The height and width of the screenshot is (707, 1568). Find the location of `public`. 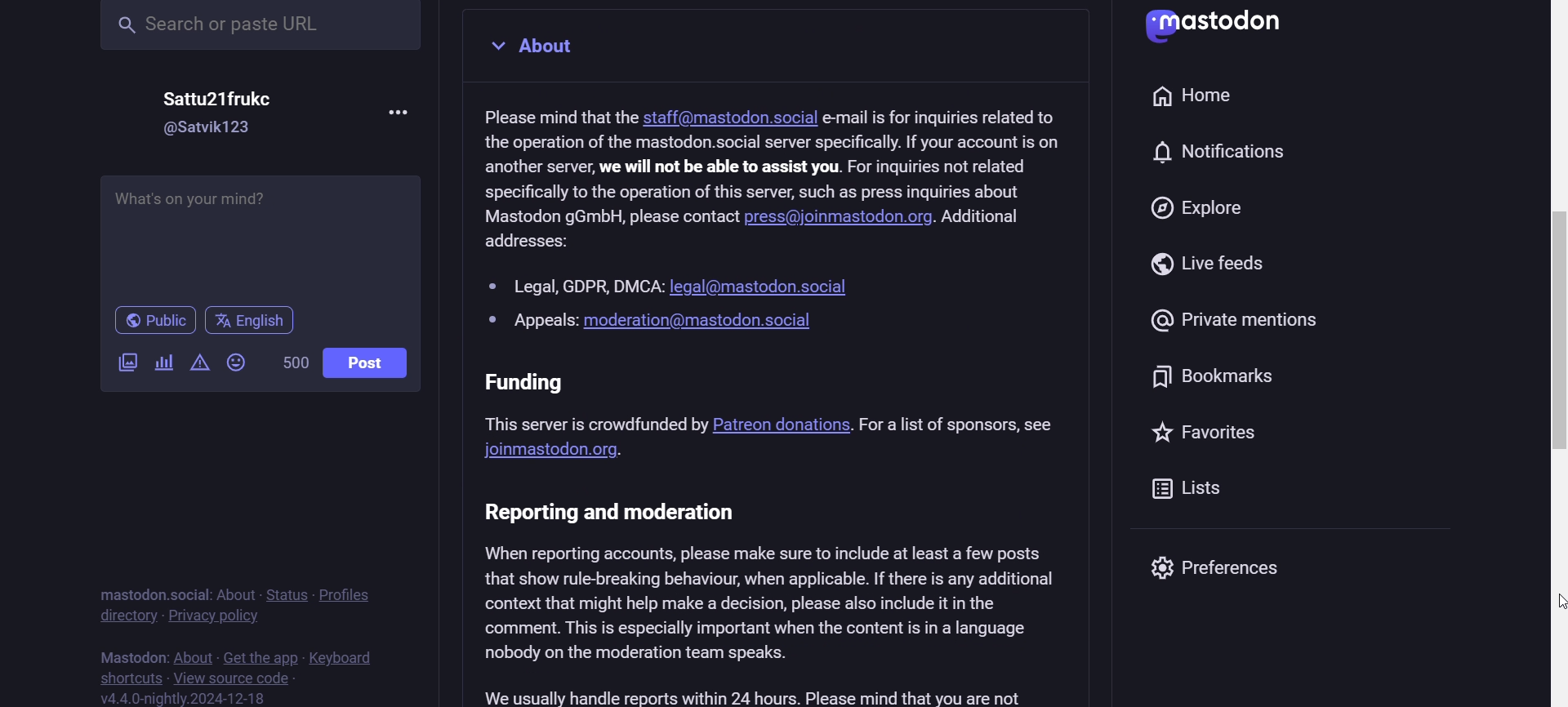

public is located at coordinates (148, 320).